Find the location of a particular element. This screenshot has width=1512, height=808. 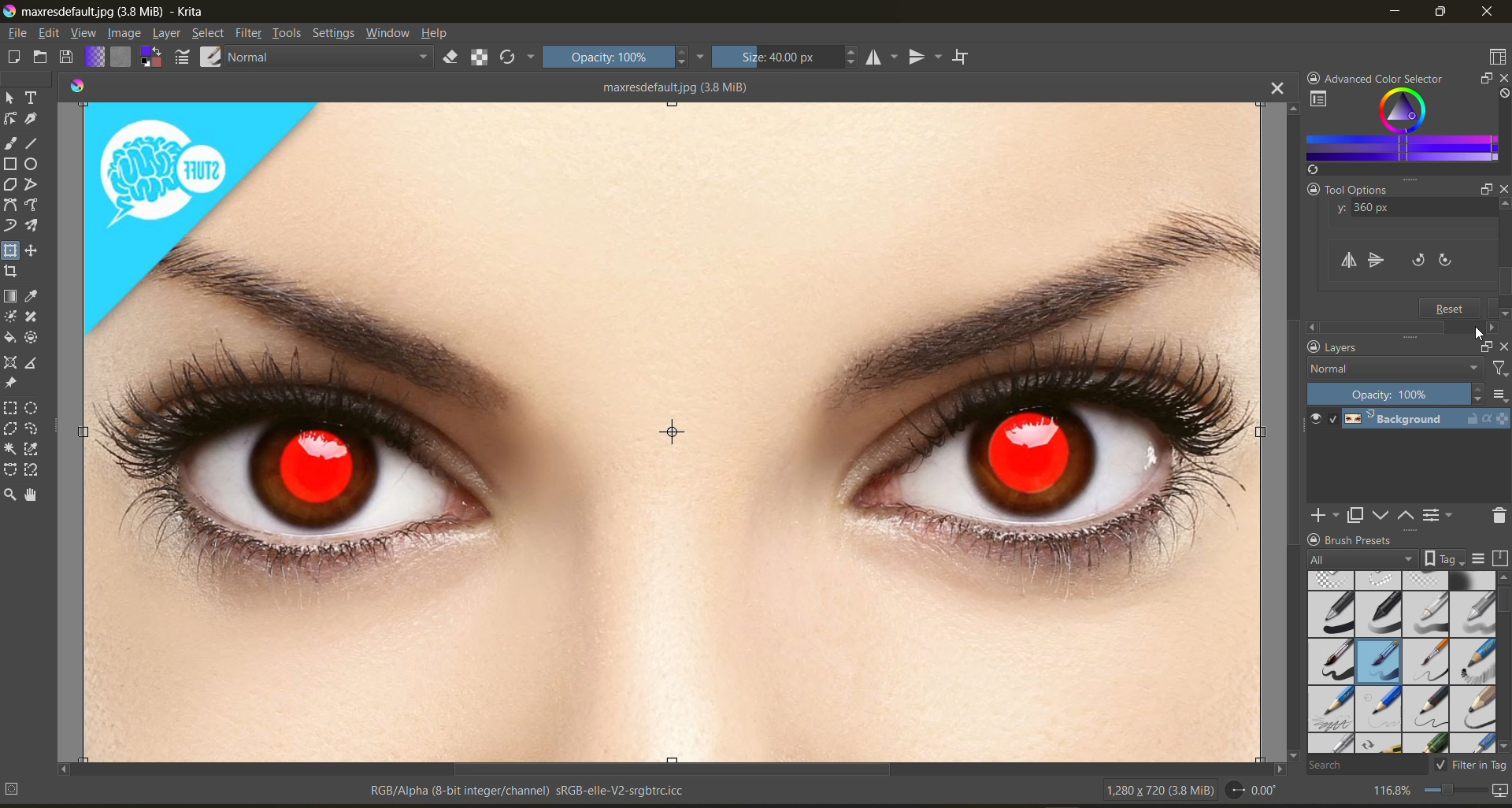

edit brush settings is located at coordinates (184, 57).